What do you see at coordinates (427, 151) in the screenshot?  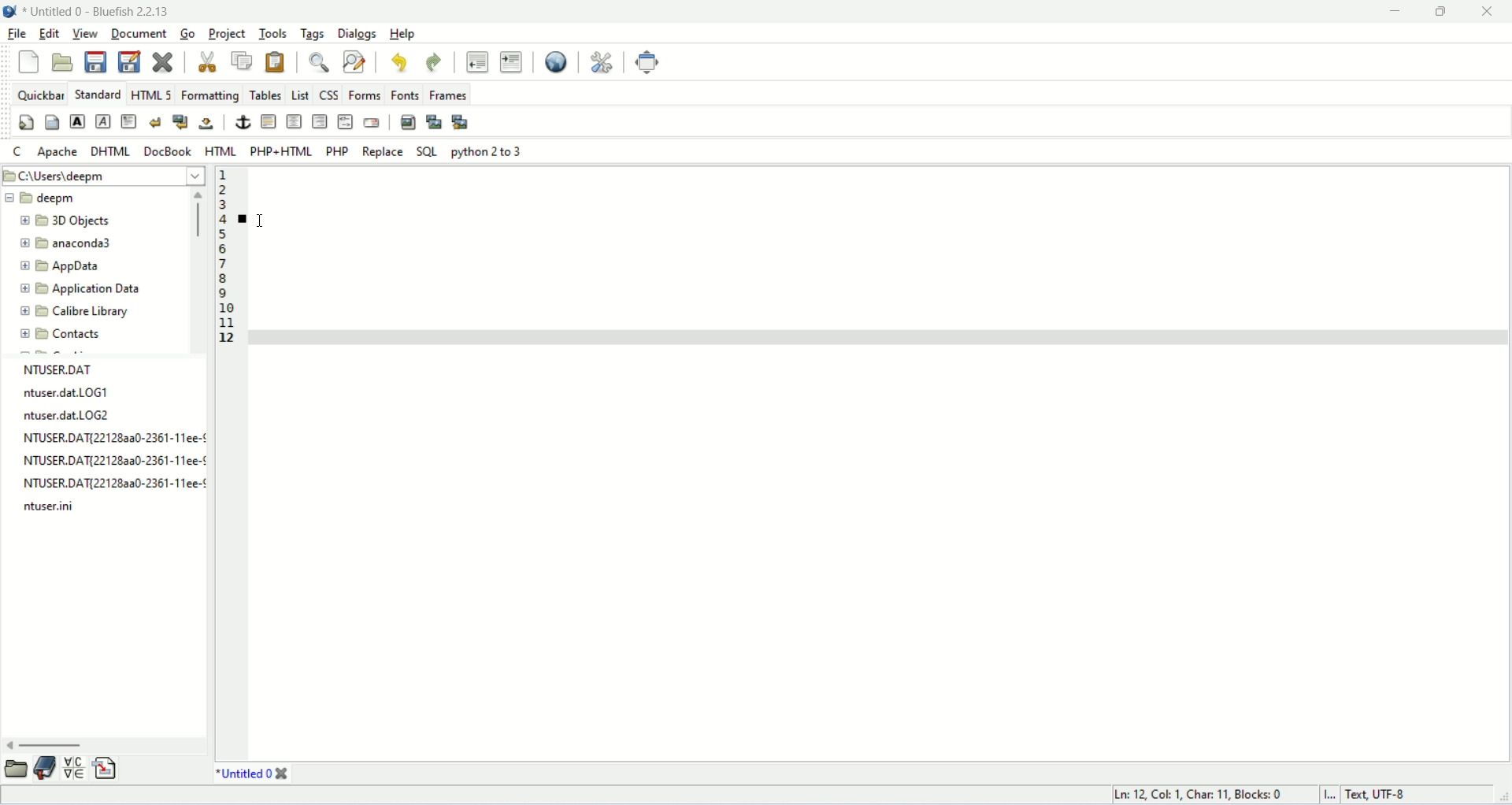 I see `SQL` at bounding box center [427, 151].